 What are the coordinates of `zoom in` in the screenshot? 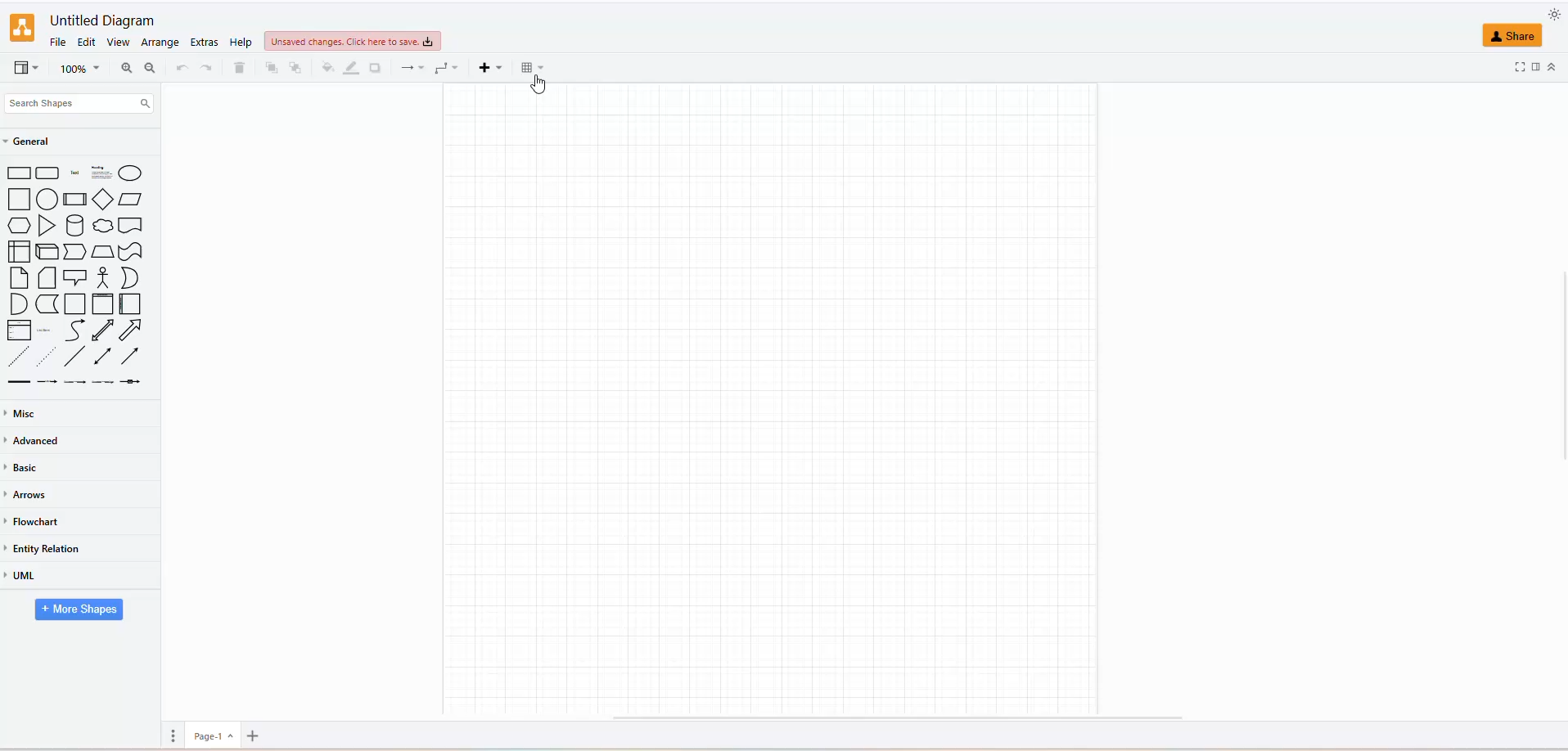 It's located at (127, 68).